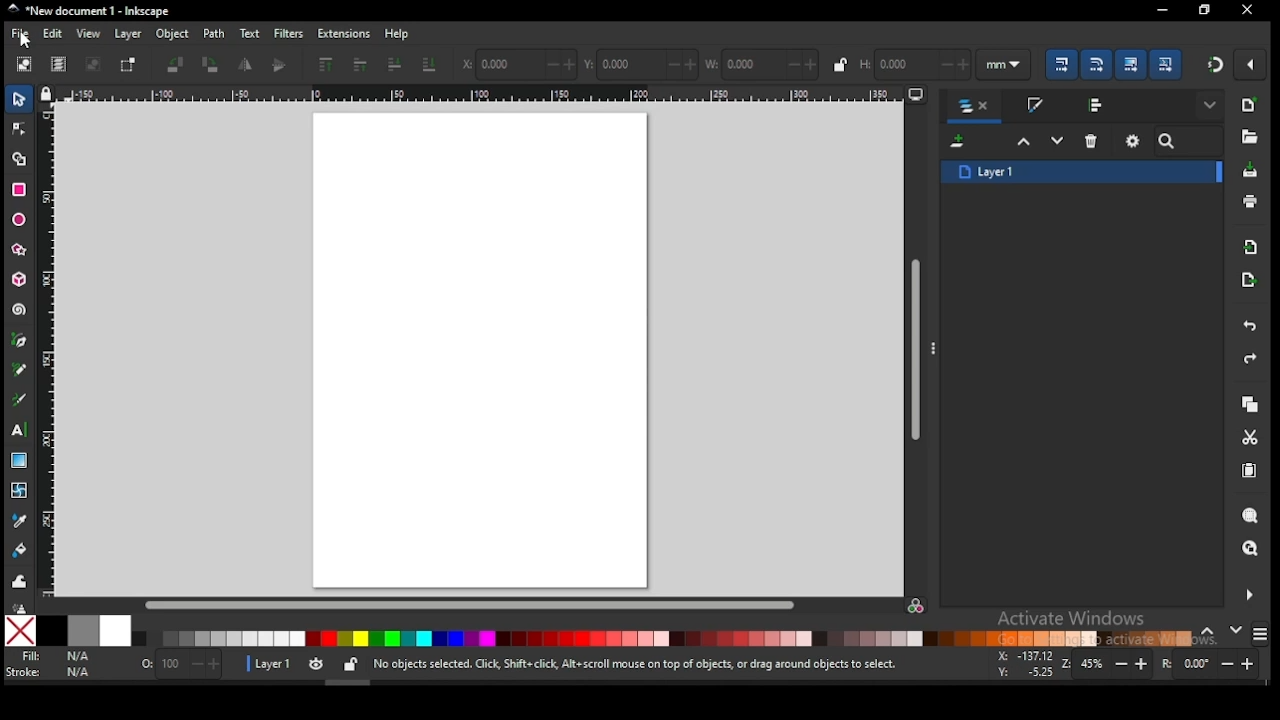  I want to click on save, so click(1250, 169).